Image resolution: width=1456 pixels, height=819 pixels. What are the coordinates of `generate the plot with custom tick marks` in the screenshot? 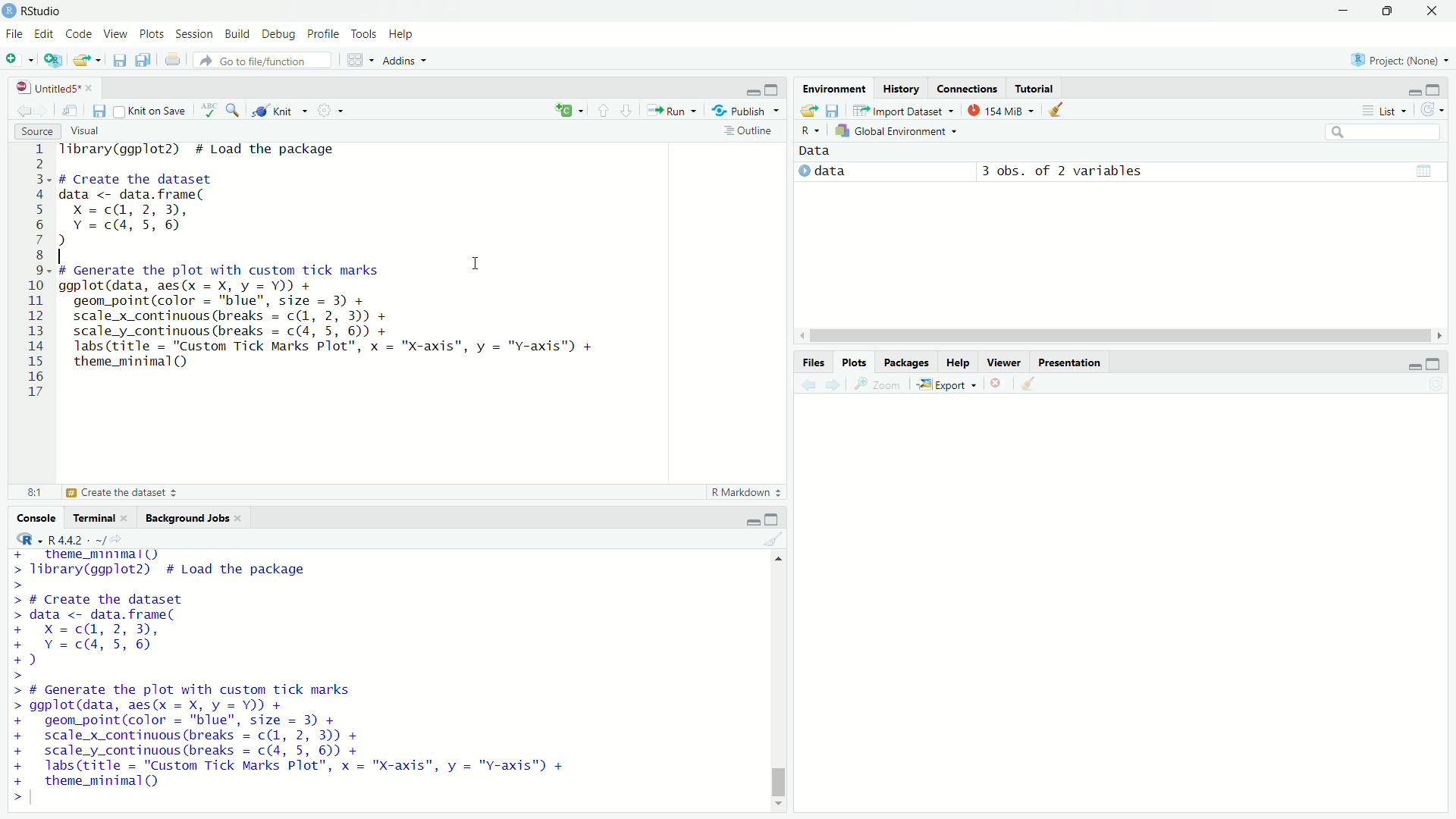 It's located at (181, 493).